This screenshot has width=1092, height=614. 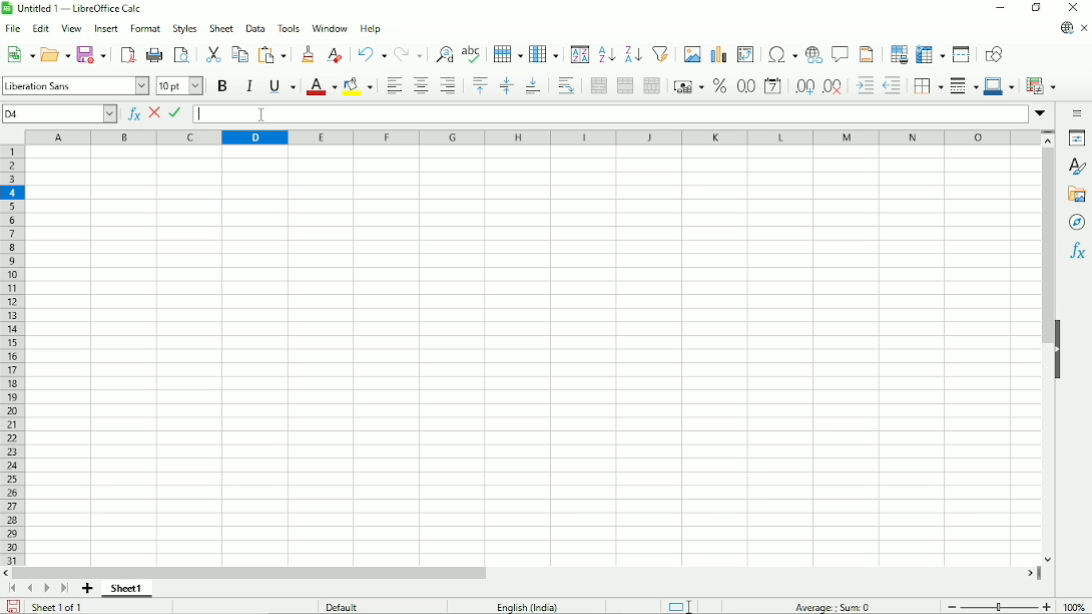 I want to click on Current cell, so click(x=59, y=114).